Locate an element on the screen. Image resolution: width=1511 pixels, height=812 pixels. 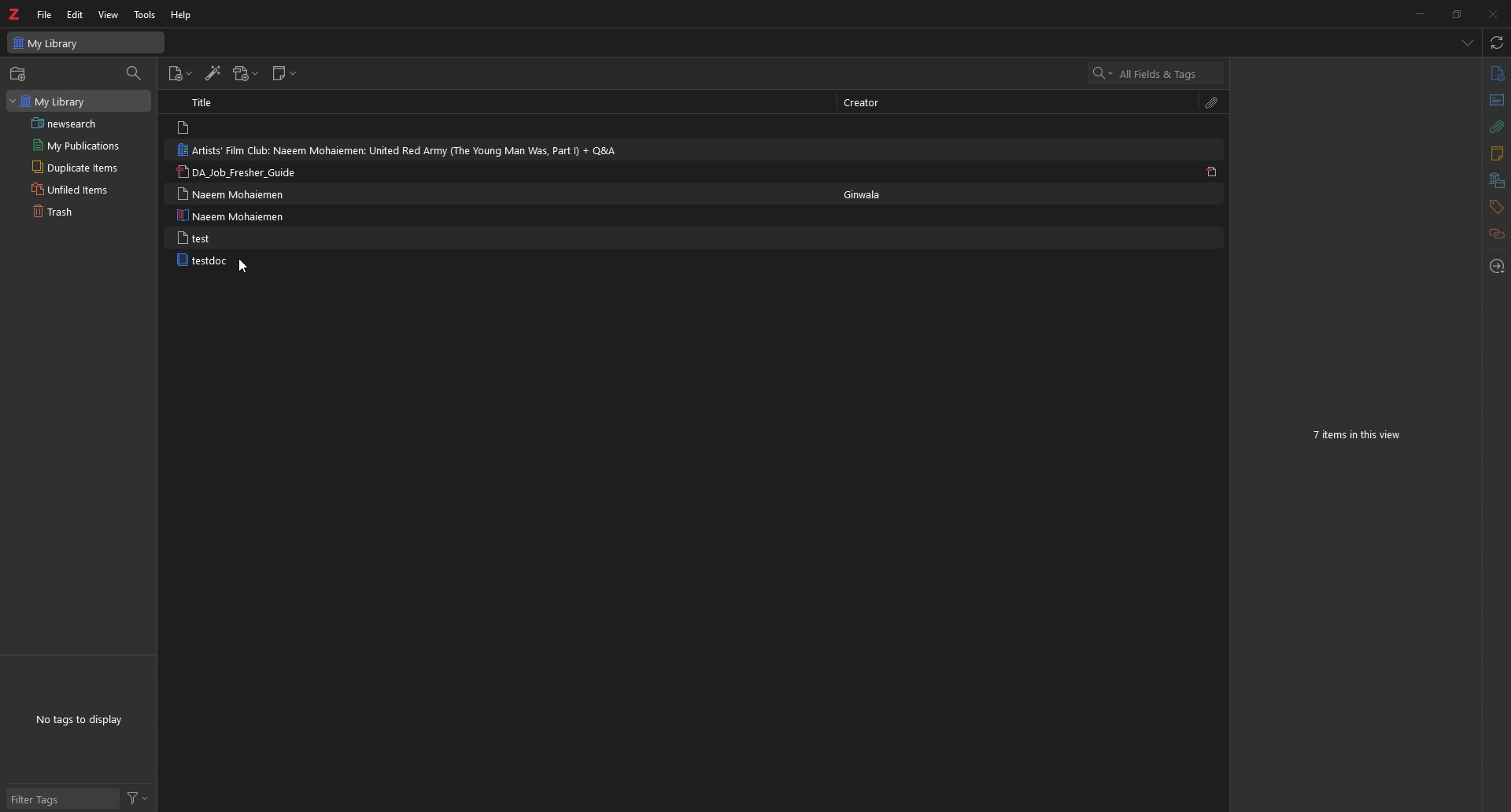
testdoc is located at coordinates (201, 260).